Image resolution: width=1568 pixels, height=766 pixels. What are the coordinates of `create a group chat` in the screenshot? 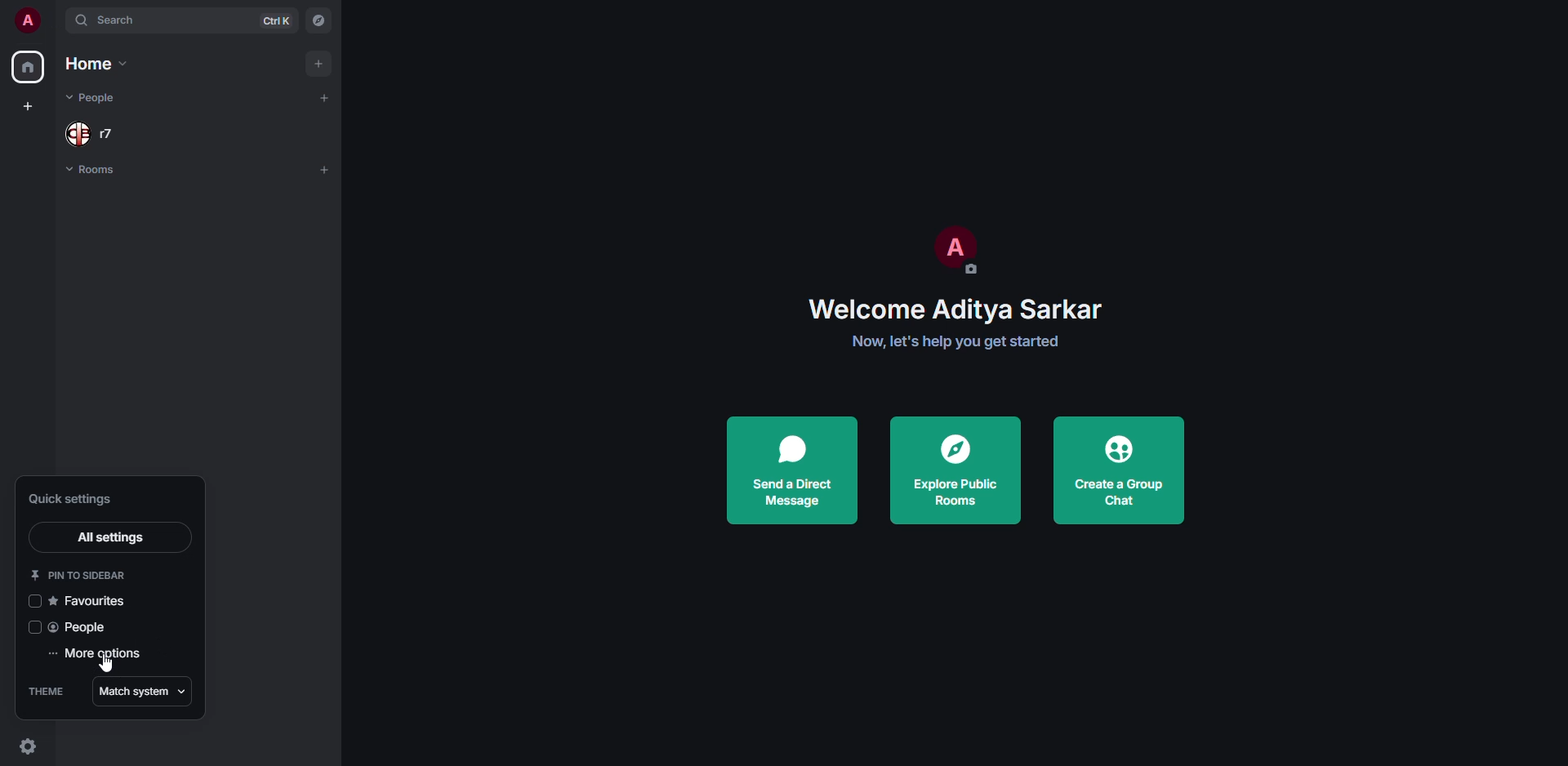 It's located at (1118, 470).